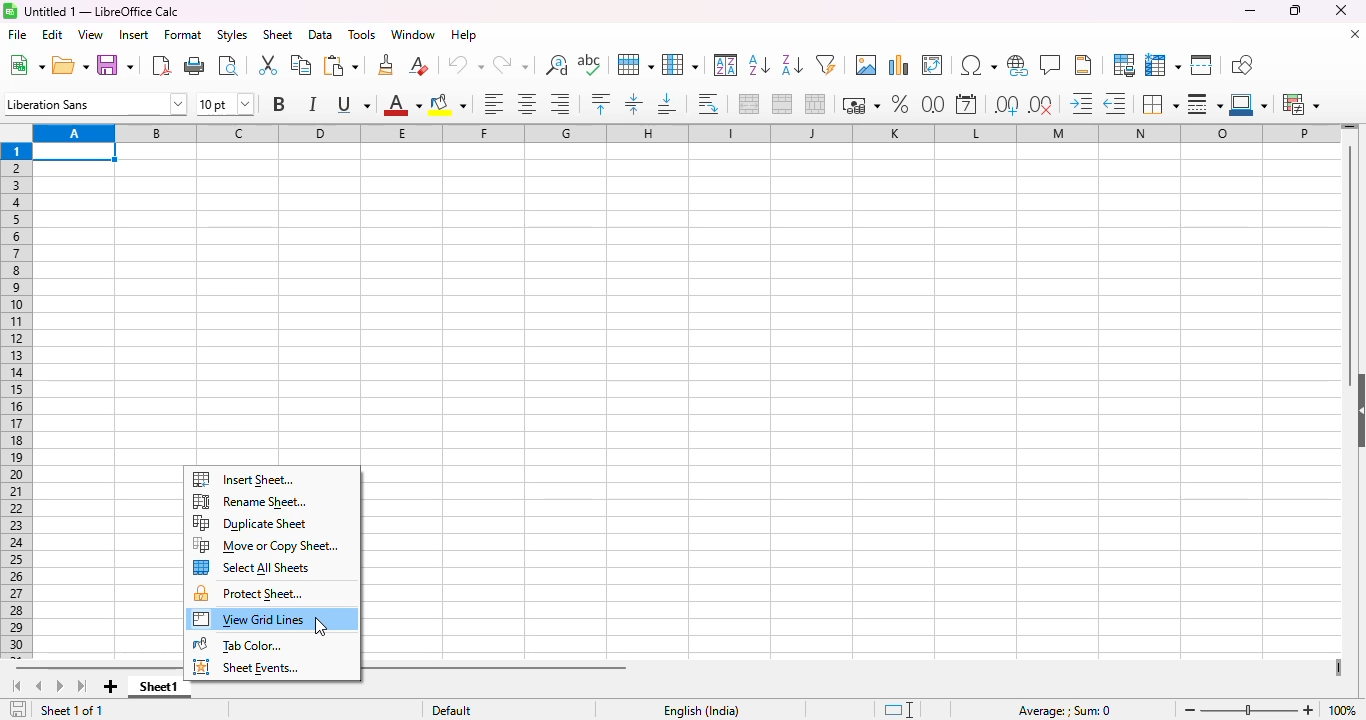  Describe the element at coordinates (1242, 65) in the screenshot. I see `show draw functions` at that location.